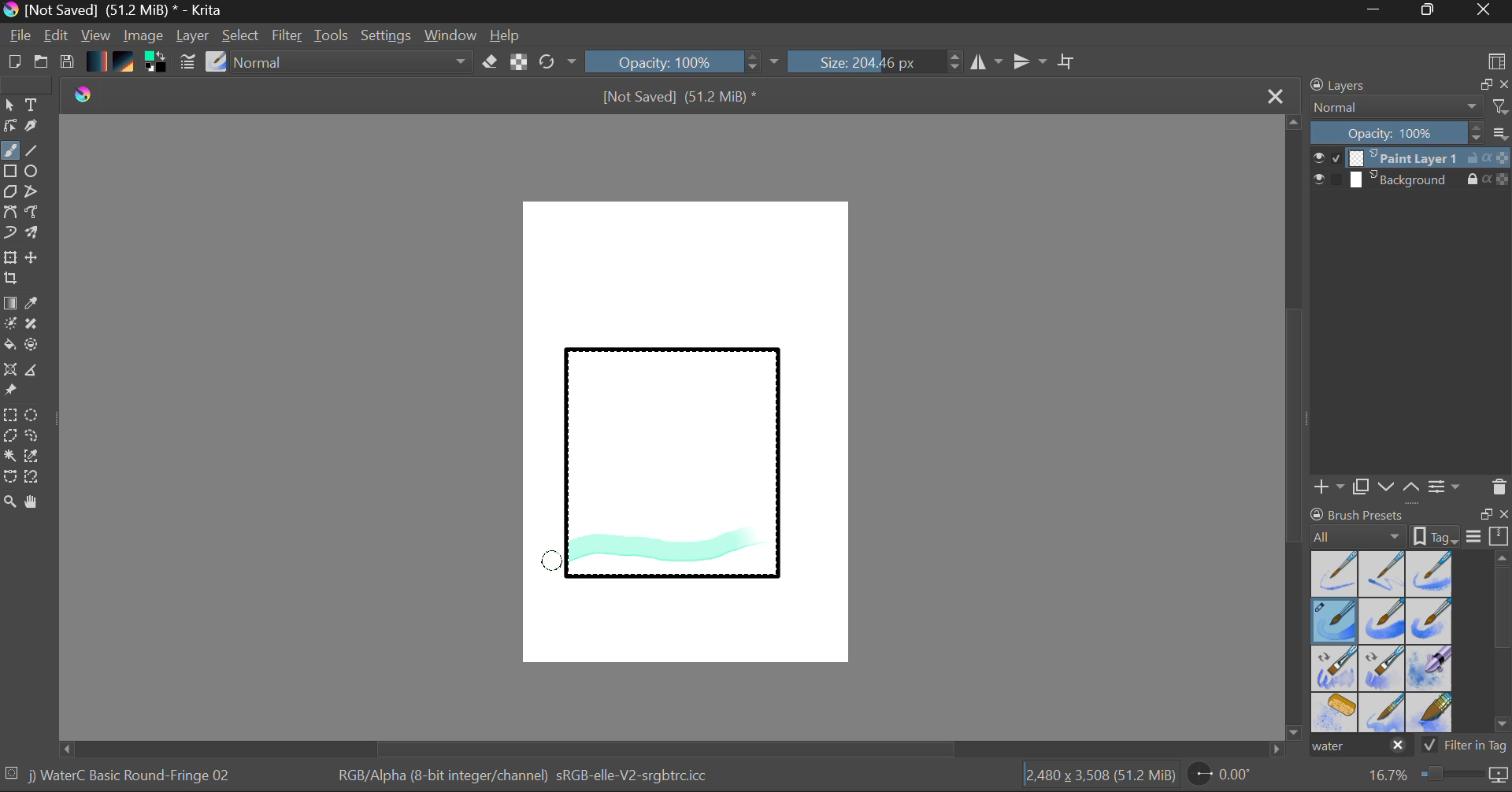  Describe the element at coordinates (10, 503) in the screenshot. I see `Zoom` at that location.